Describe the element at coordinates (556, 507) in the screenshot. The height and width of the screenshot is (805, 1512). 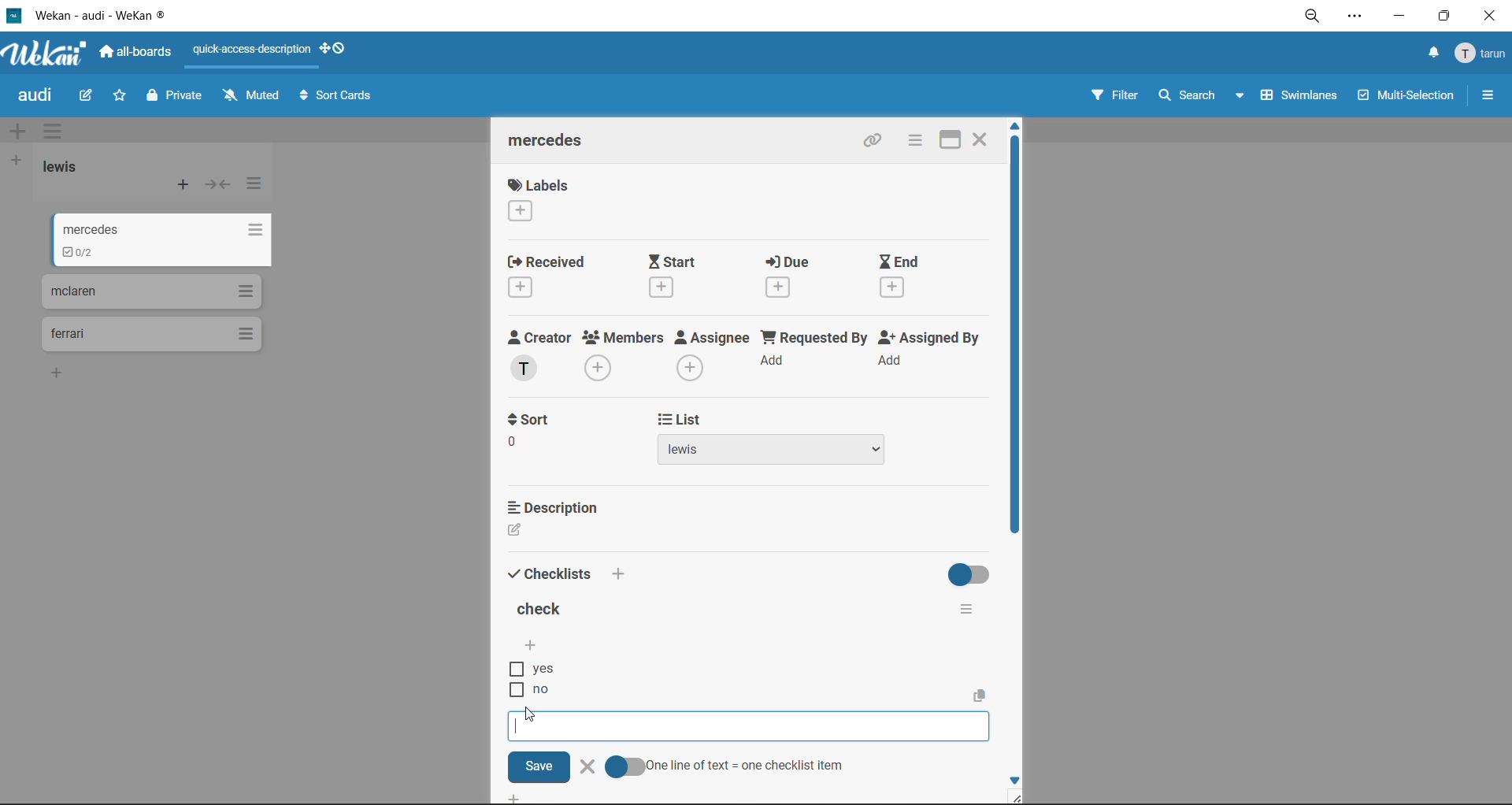
I see `description` at that location.